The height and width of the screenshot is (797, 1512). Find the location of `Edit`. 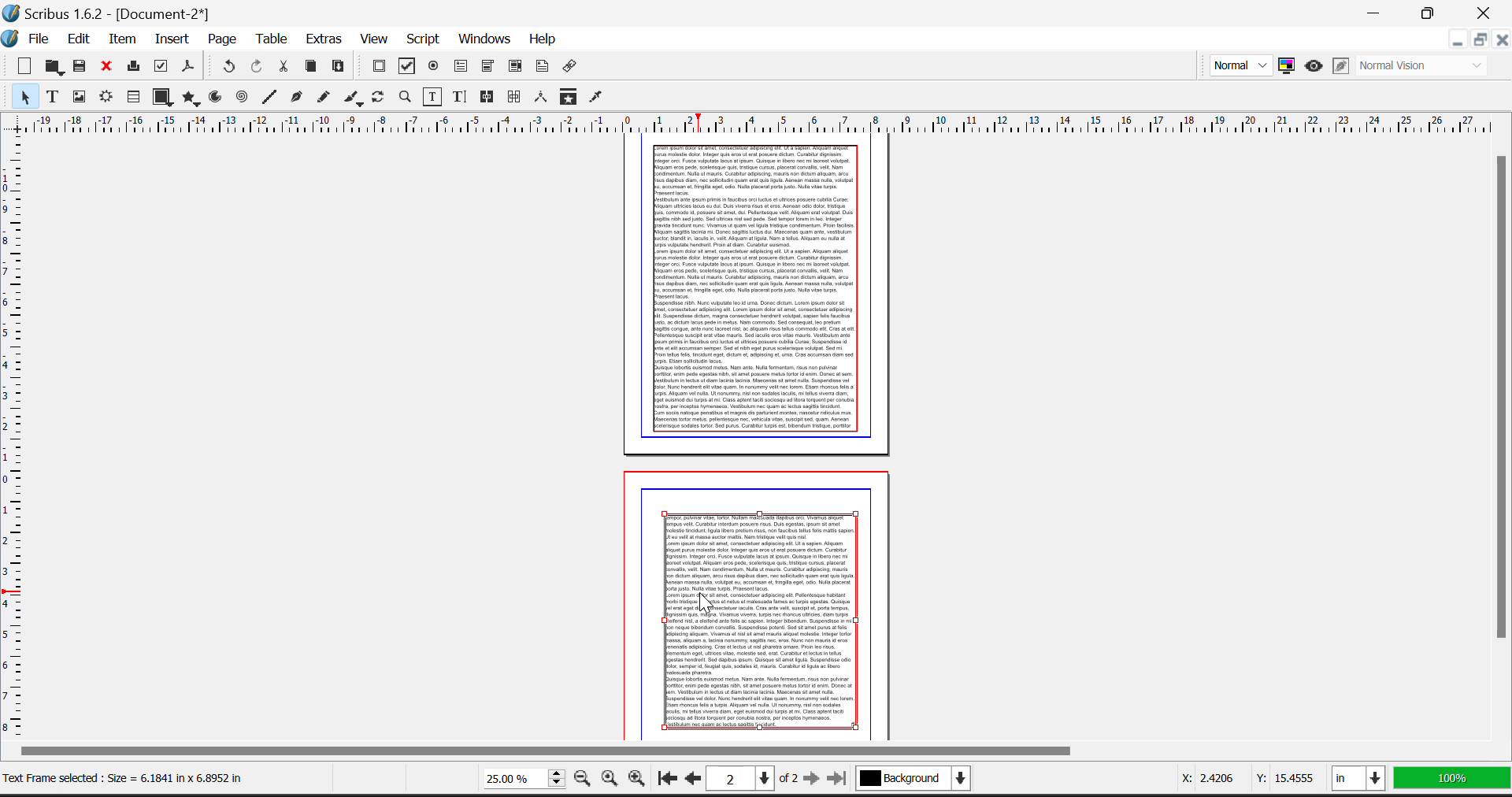

Edit is located at coordinates (79, 39).